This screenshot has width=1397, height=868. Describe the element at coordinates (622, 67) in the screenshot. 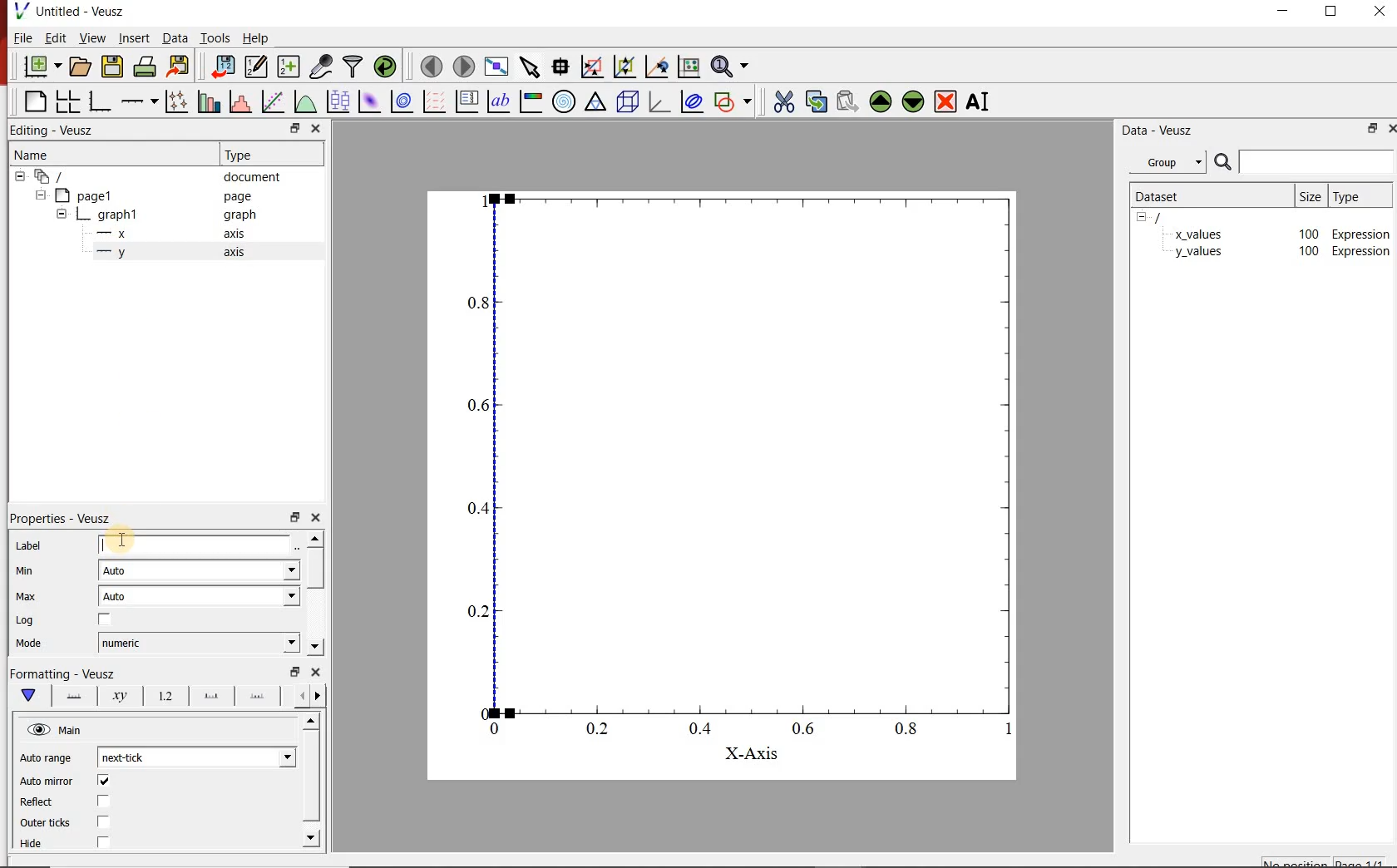

I see `click to zoom out on graph axes` at that location.